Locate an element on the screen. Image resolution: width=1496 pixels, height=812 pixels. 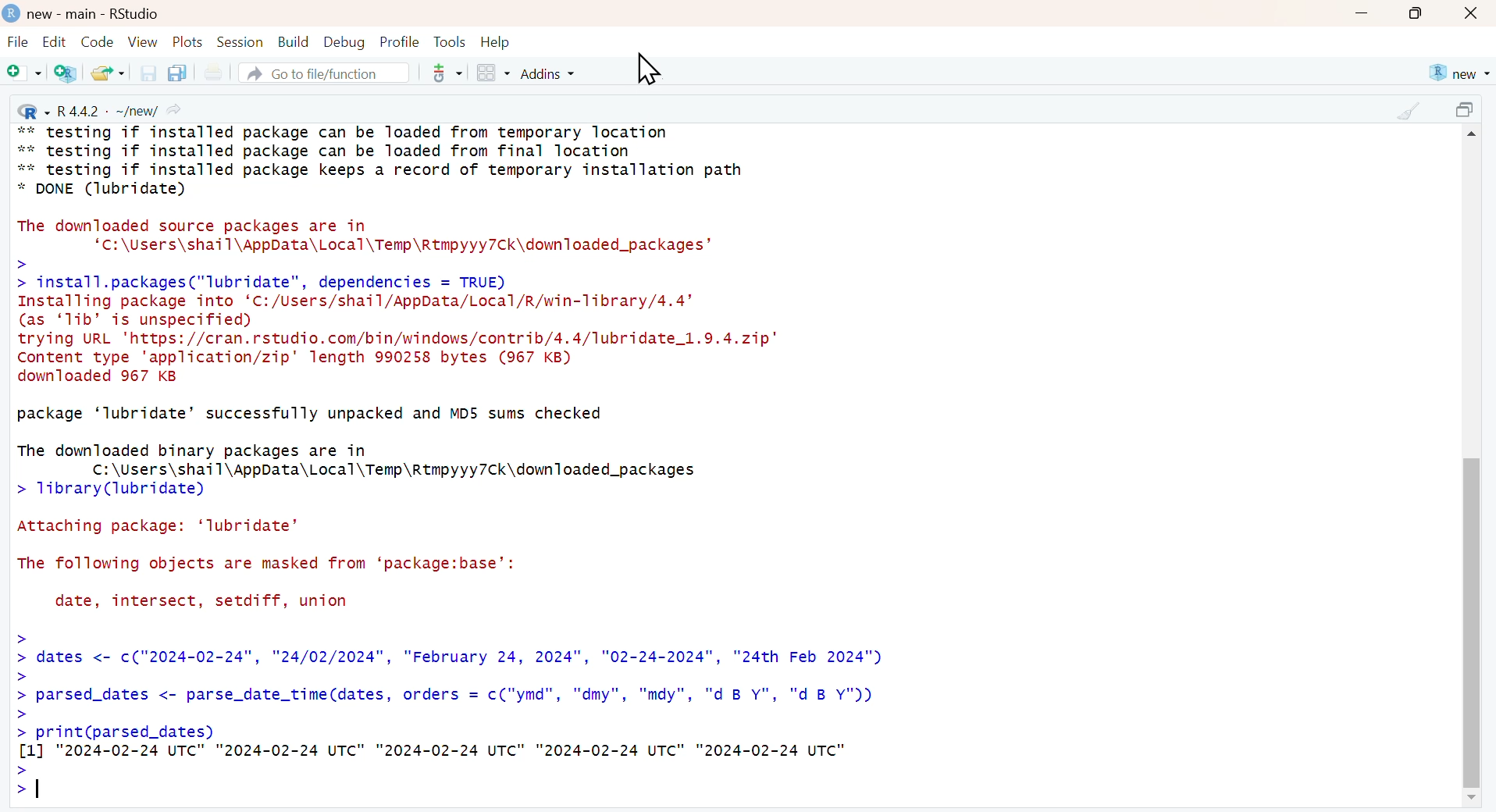
minimize is located at coordinates (1361, 15).